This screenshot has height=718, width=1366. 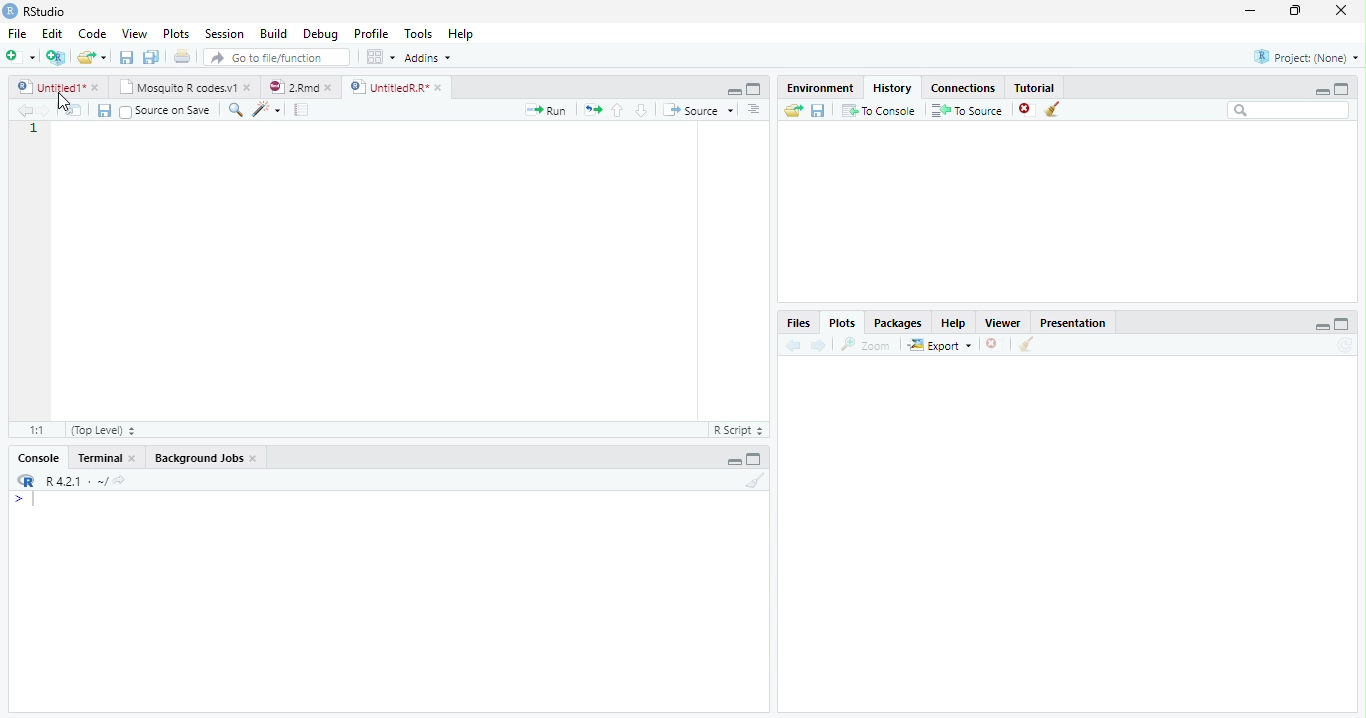 What do you see at coordinates (25, 481) in the screenshot?
I see `R` at bounding box center [25, 481].